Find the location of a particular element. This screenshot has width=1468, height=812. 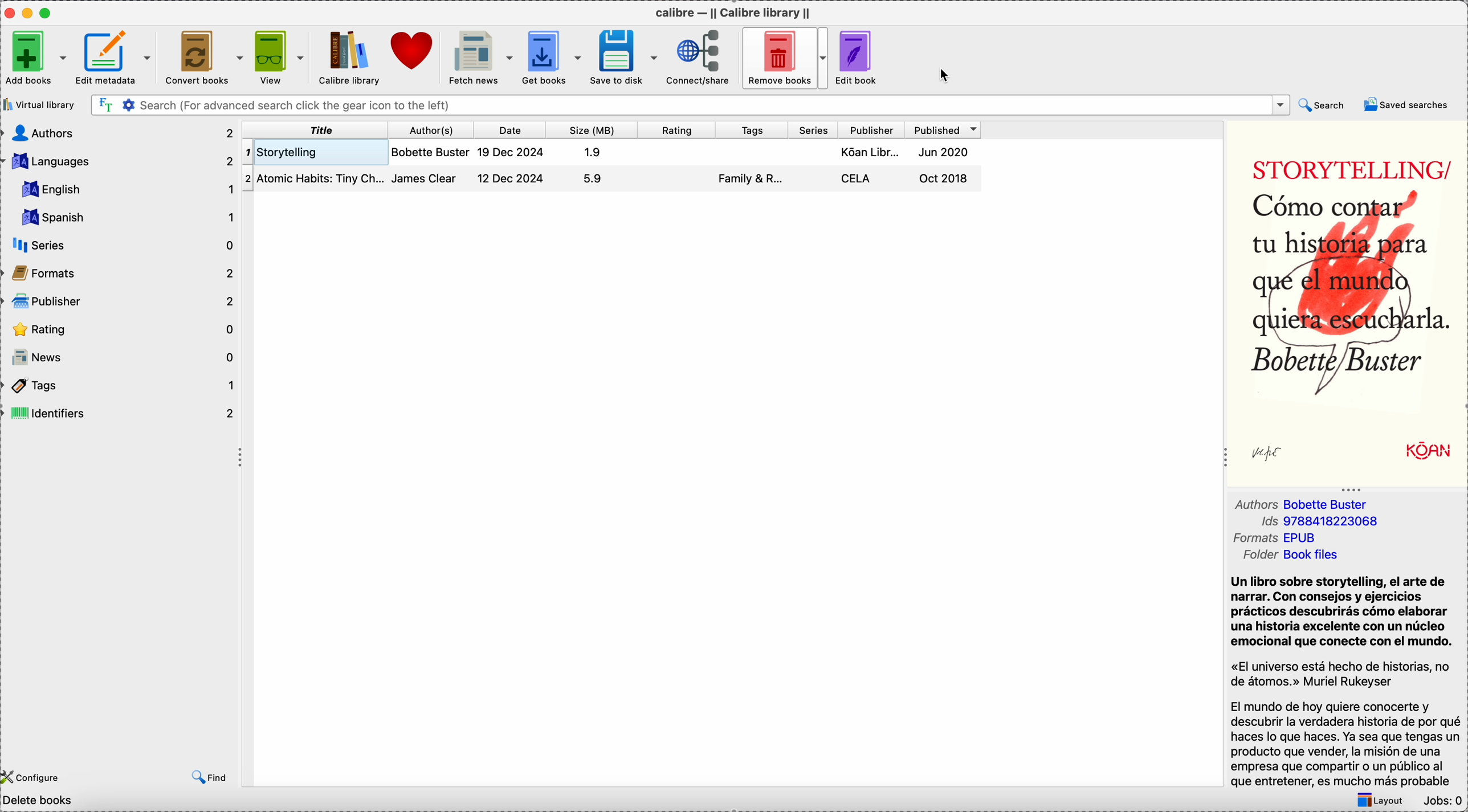

news is located at coordinates (122, 356).